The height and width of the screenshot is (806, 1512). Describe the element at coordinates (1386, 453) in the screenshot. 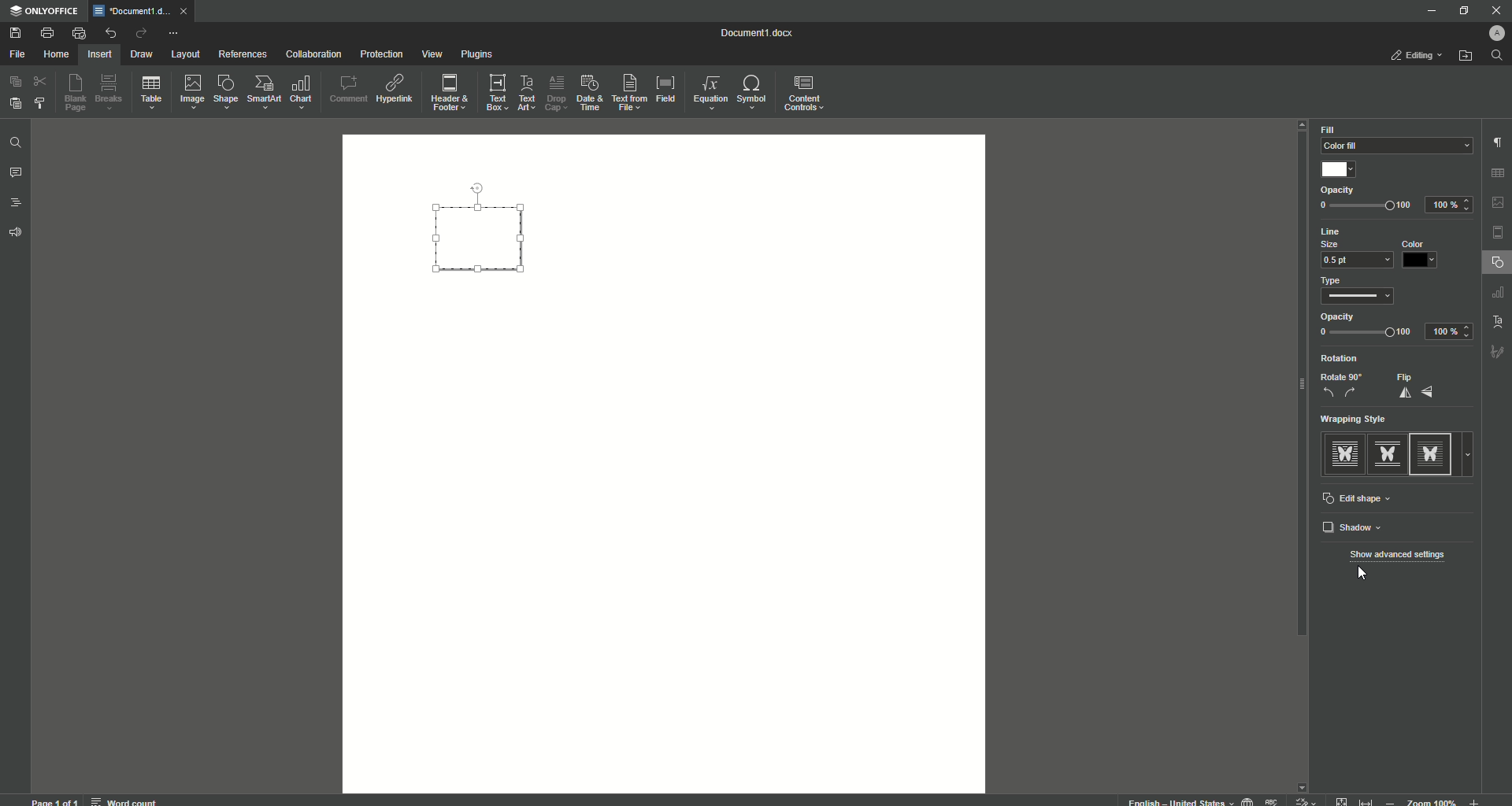

I see `style 2` at that location.